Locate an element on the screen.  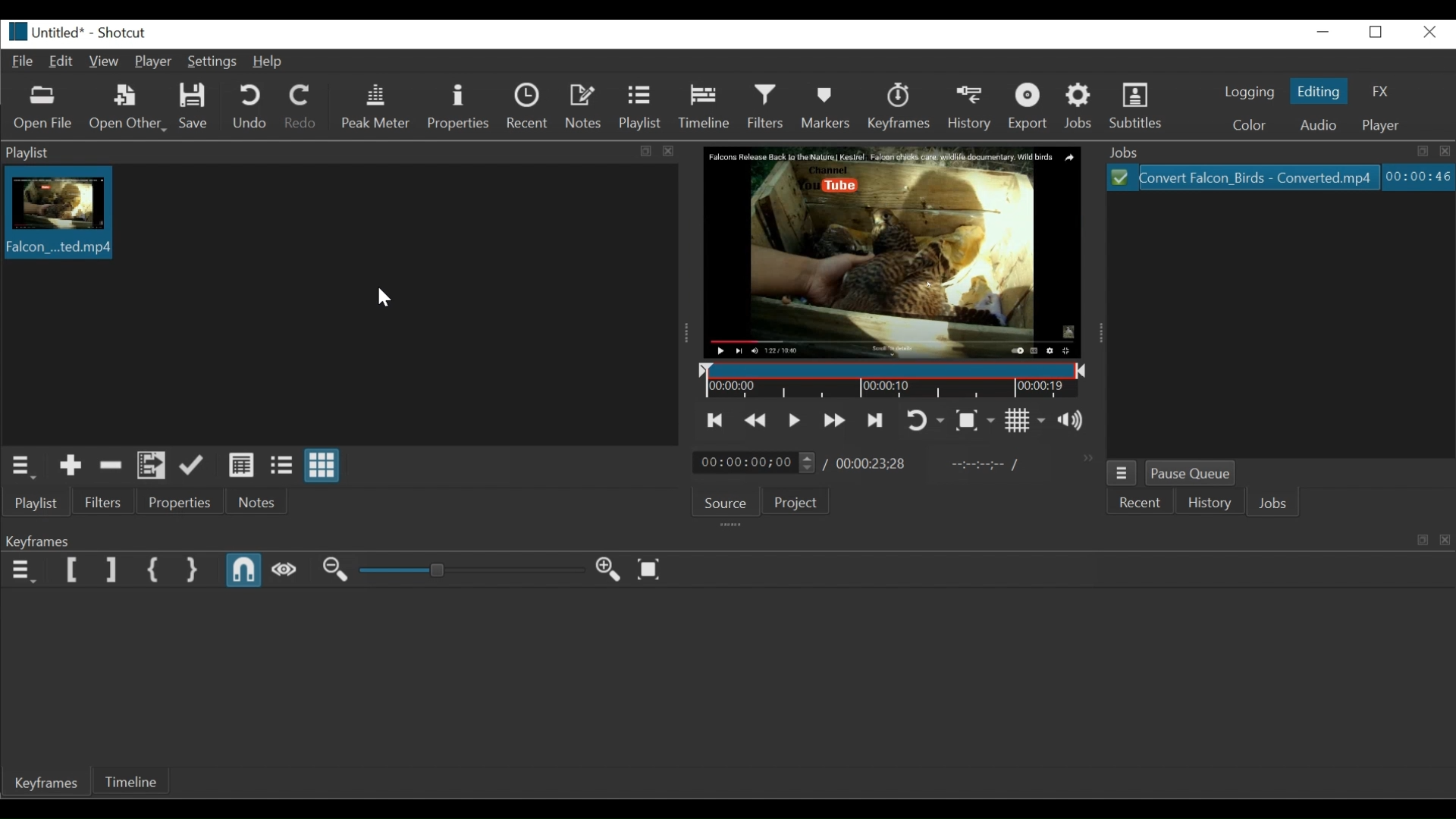
Play quickly backward is located at coordinates (755, 419).